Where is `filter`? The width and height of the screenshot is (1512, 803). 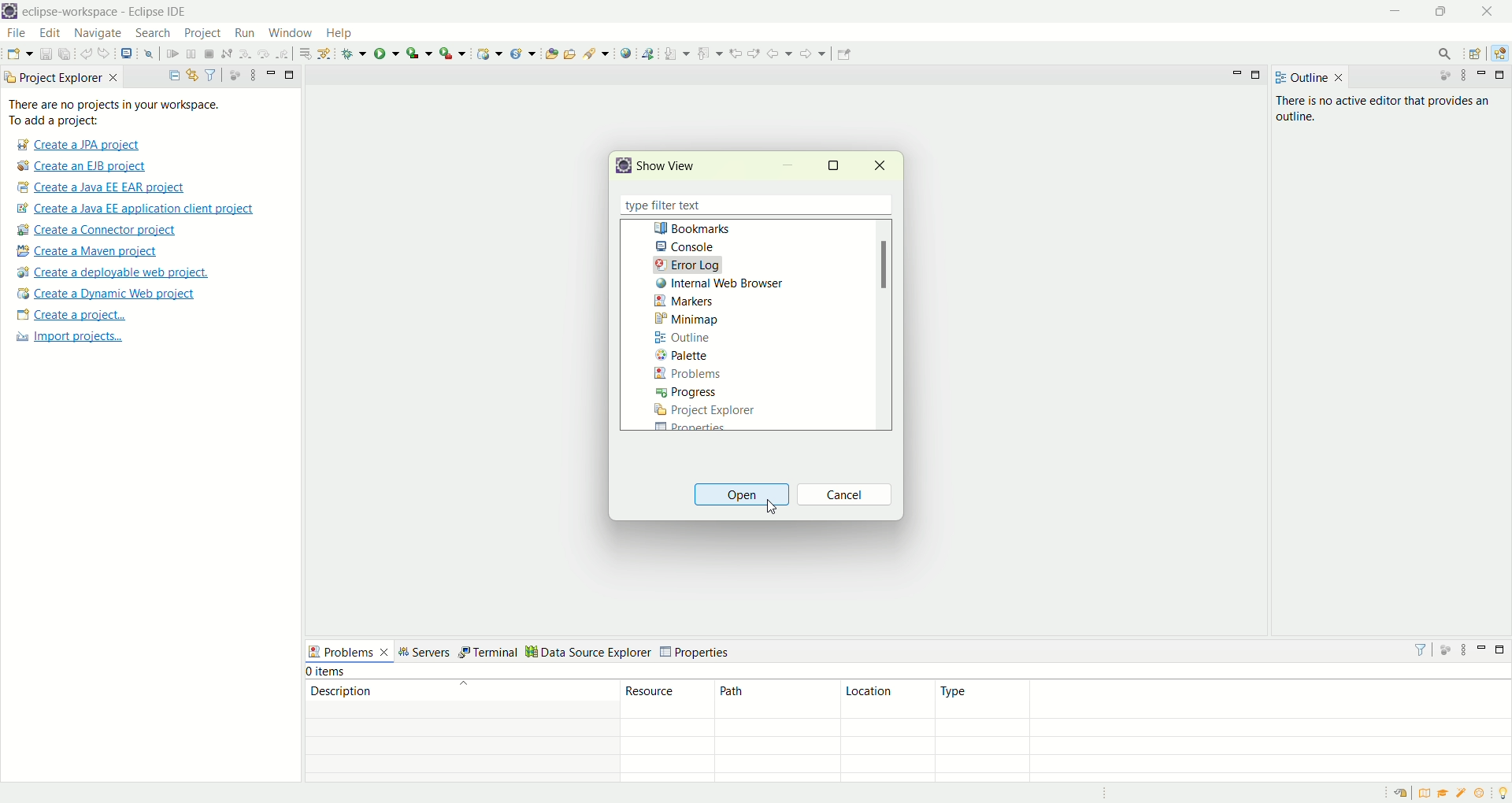 filter is located at coordinates (211, 74).